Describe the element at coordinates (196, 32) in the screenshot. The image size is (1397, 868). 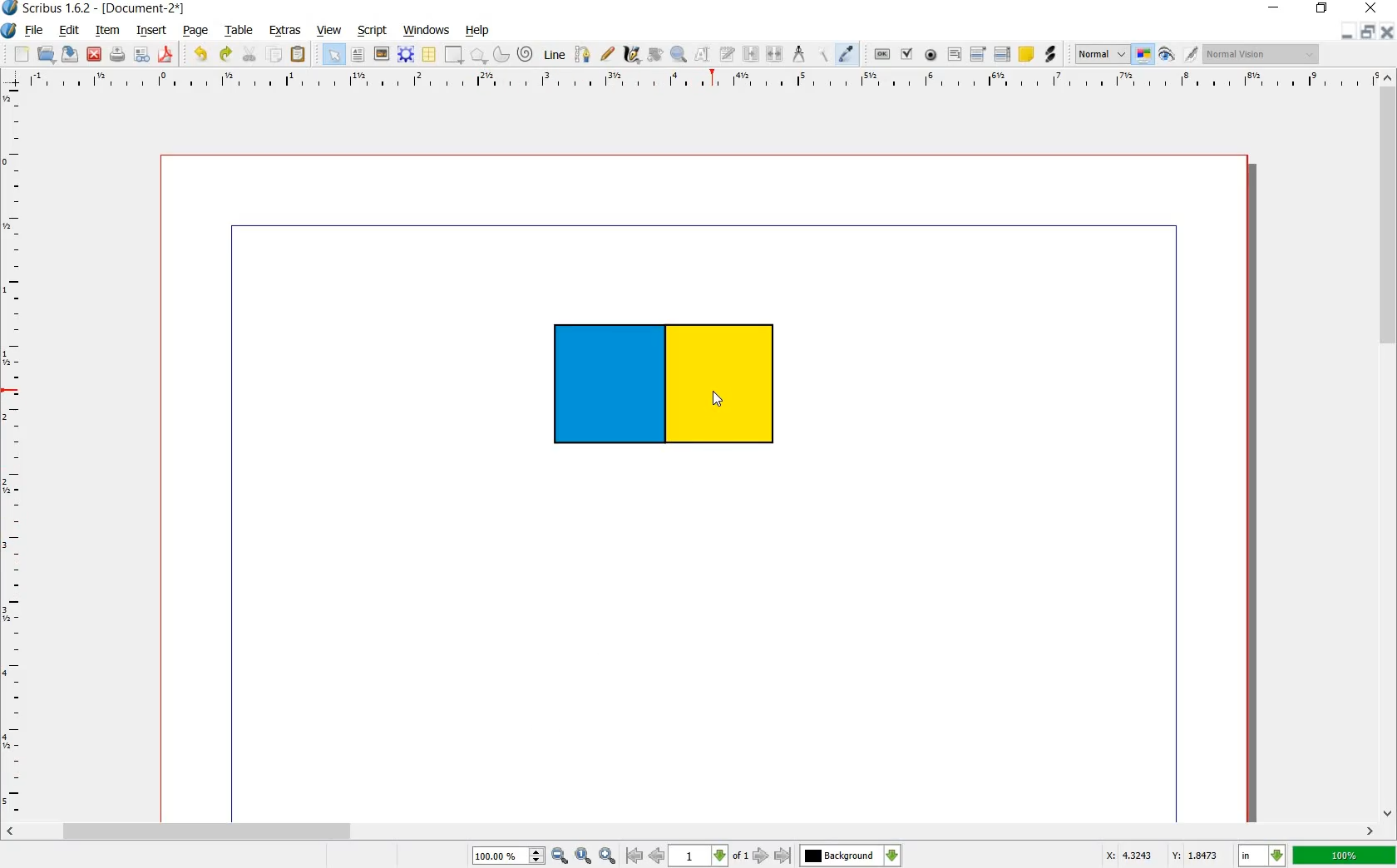
I see `page` at that location.